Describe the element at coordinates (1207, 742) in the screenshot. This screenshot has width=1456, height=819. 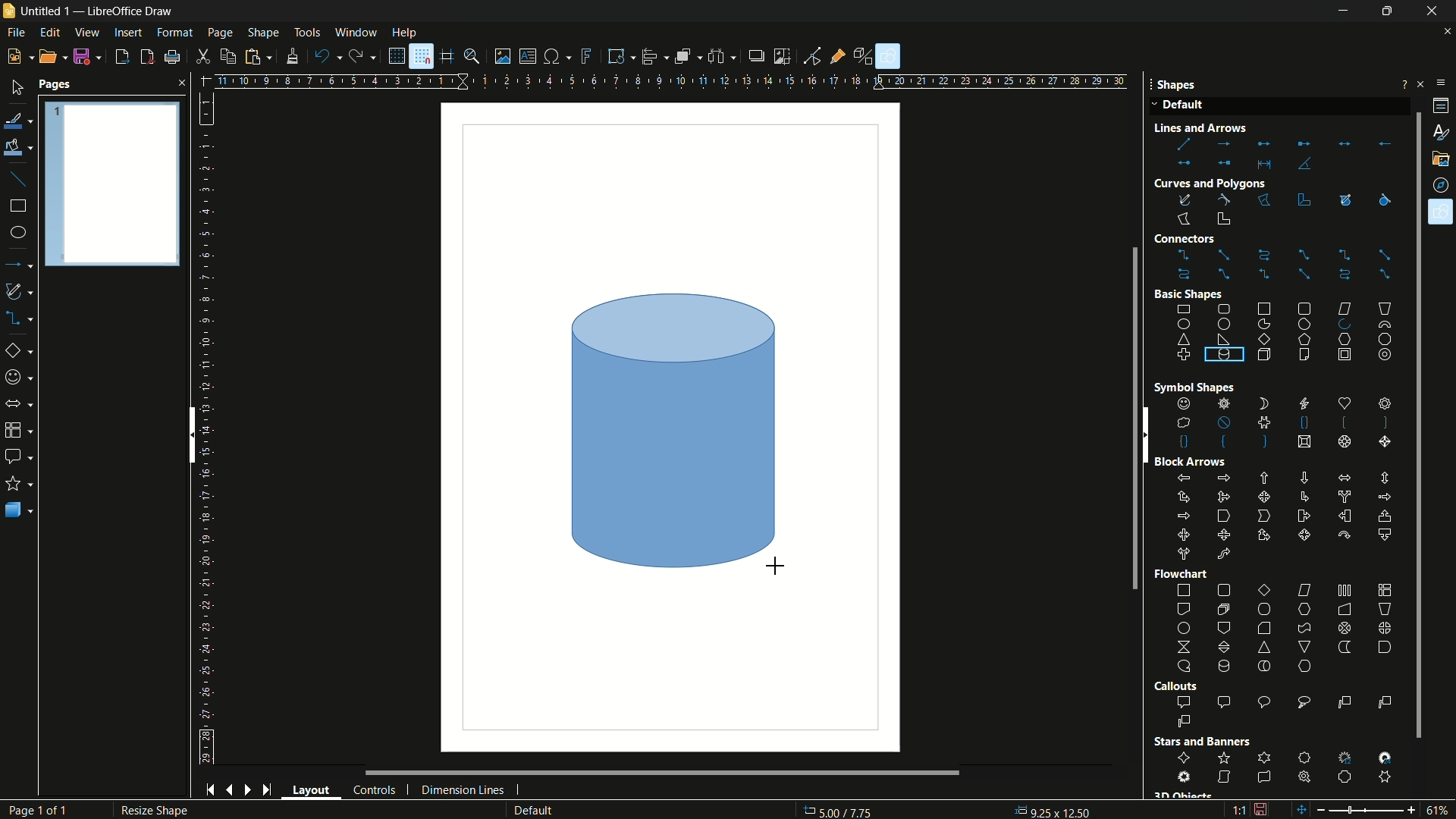
I see `Stars` at that location.